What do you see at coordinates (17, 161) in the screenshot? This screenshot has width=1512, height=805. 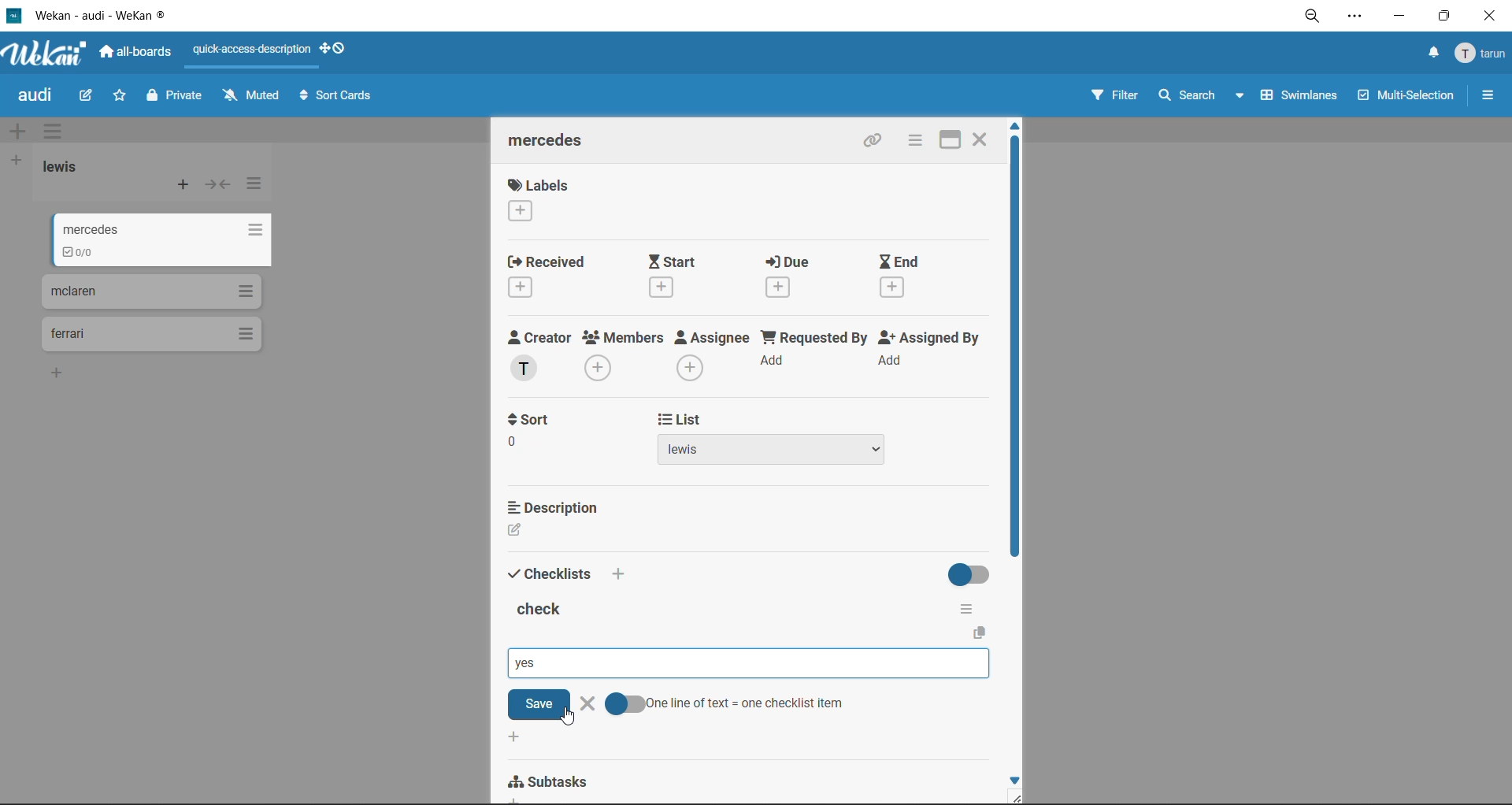 I see `add list` at bounding box center [17, 161].